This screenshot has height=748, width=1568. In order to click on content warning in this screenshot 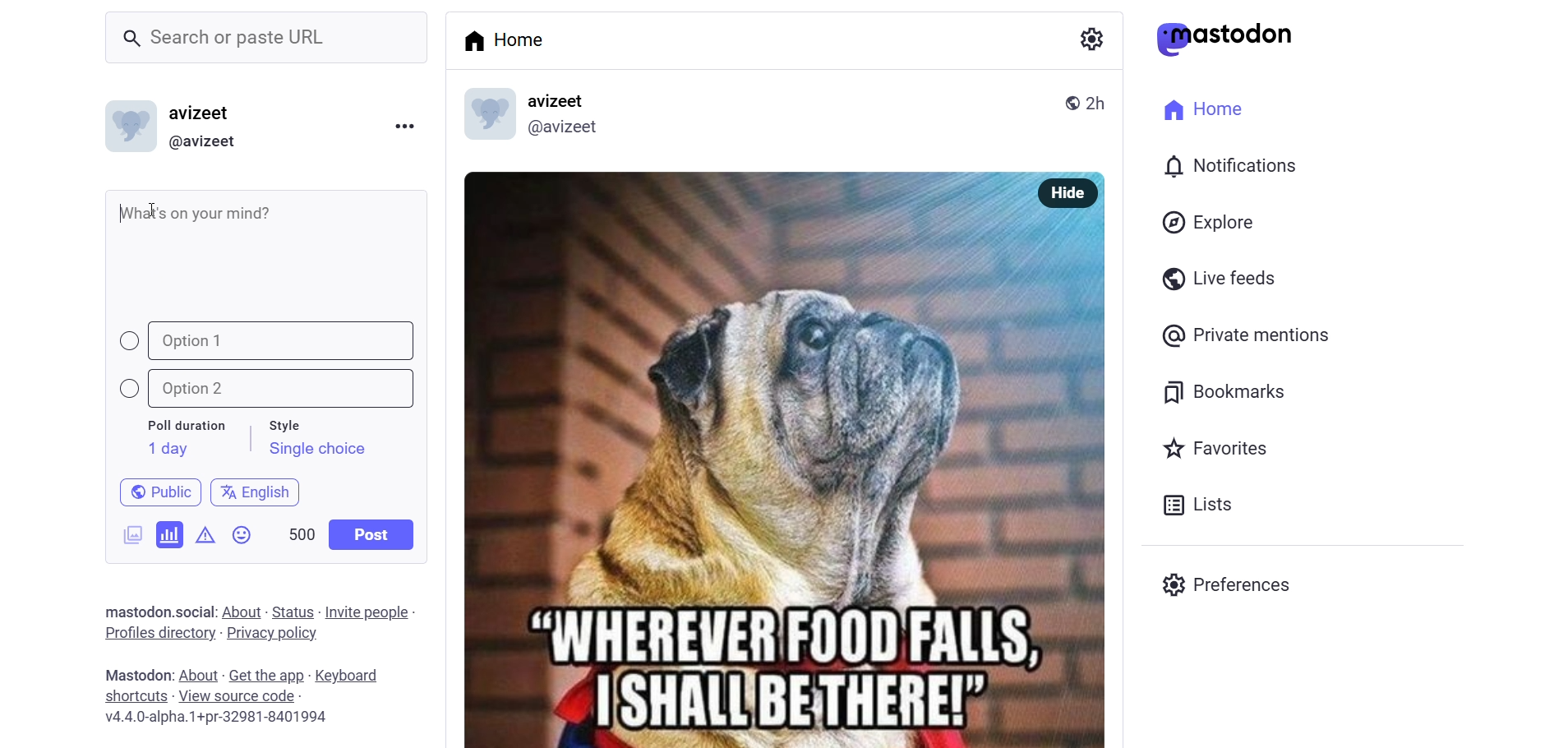, I will do `click(205, 532)`.